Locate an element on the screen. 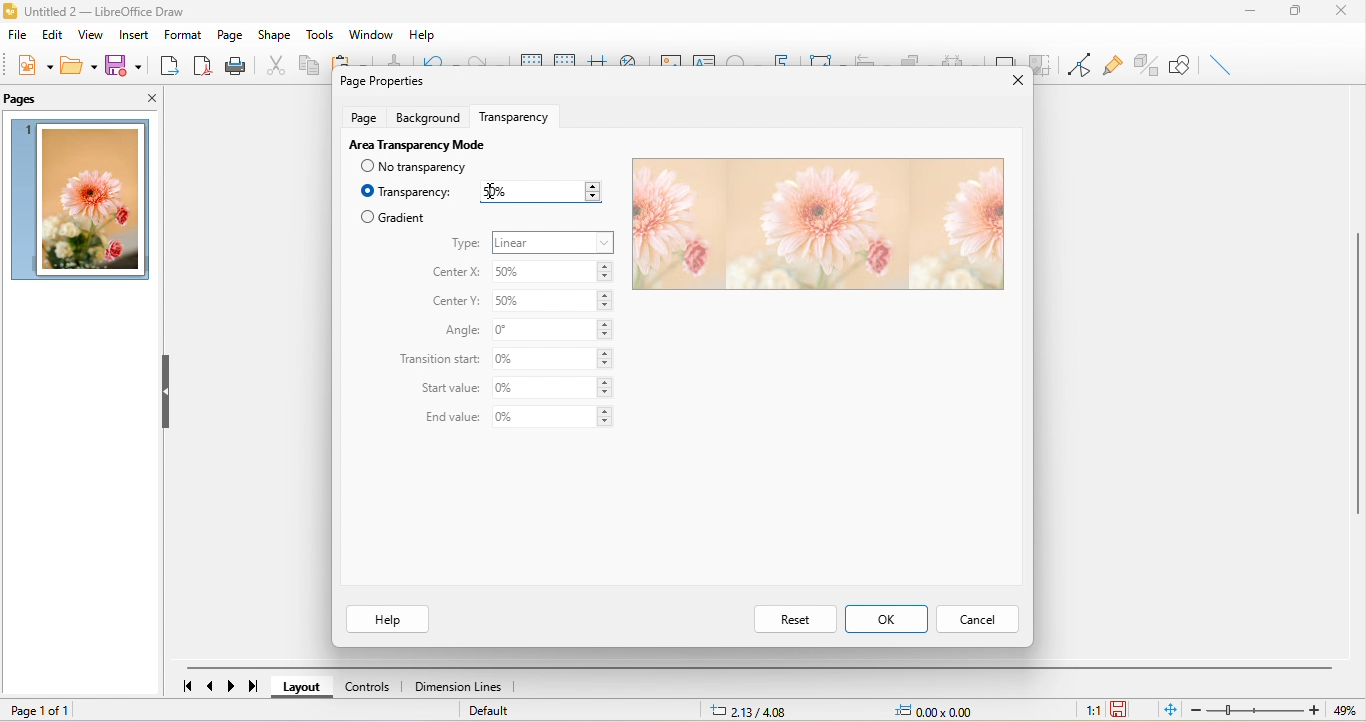  dimension lines is located at coordinates (463, 687).